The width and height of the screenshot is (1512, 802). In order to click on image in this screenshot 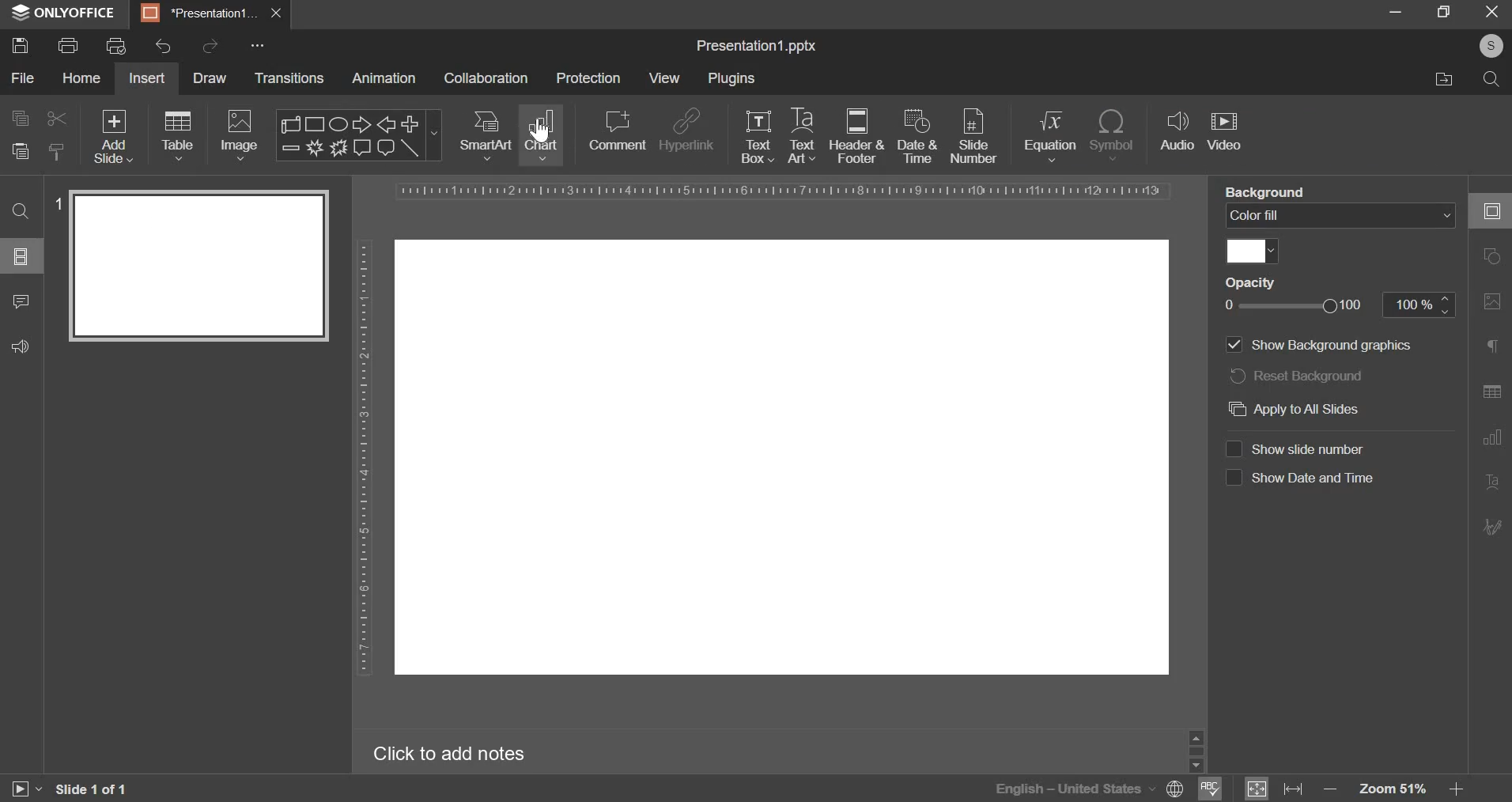, I will do `click(238, 136)`.